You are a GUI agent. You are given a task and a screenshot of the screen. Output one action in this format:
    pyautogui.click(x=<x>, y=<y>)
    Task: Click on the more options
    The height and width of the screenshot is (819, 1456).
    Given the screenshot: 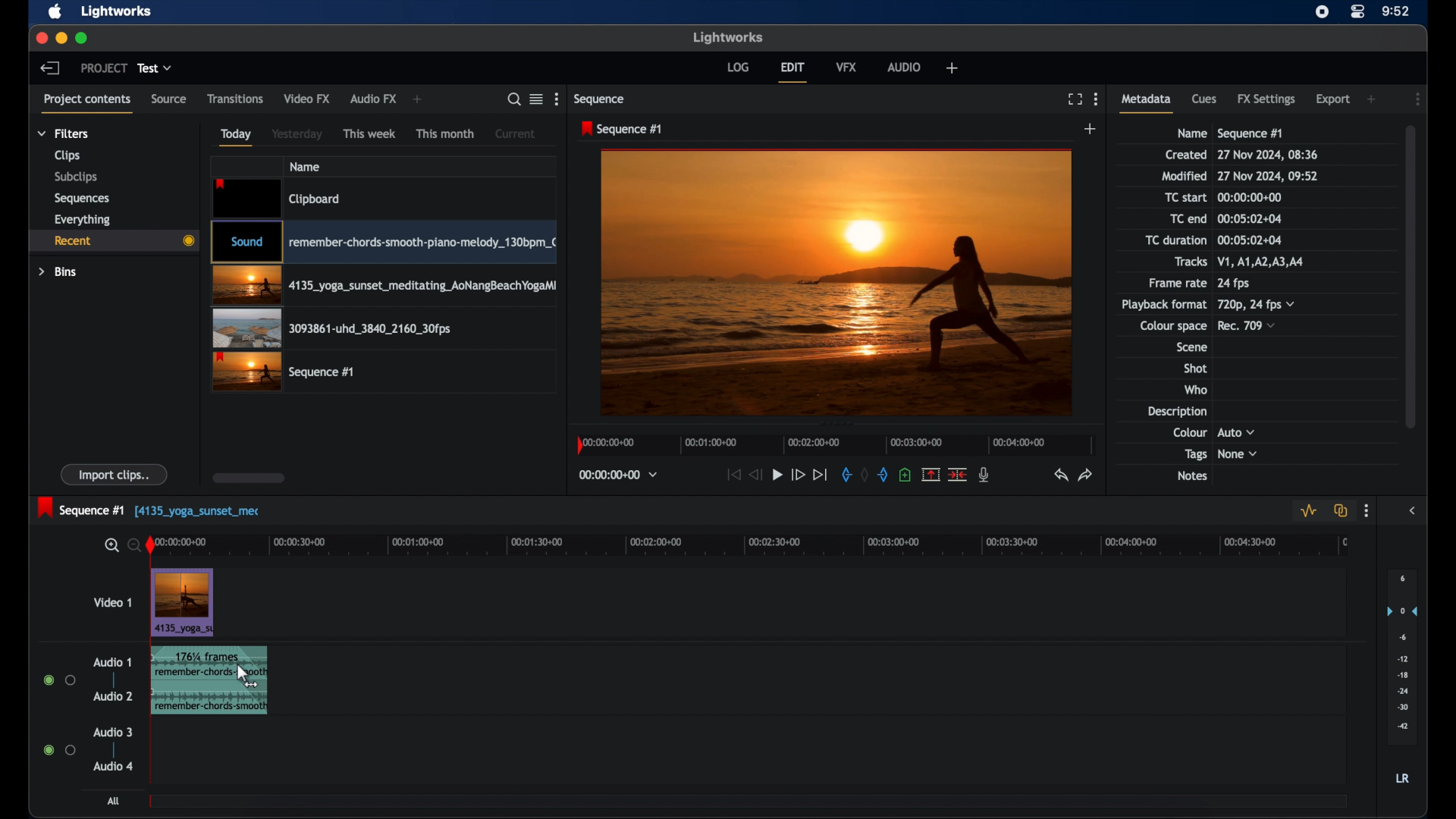 What is the action you would take?
    pyautogui.click(x=1418, y=99)
    